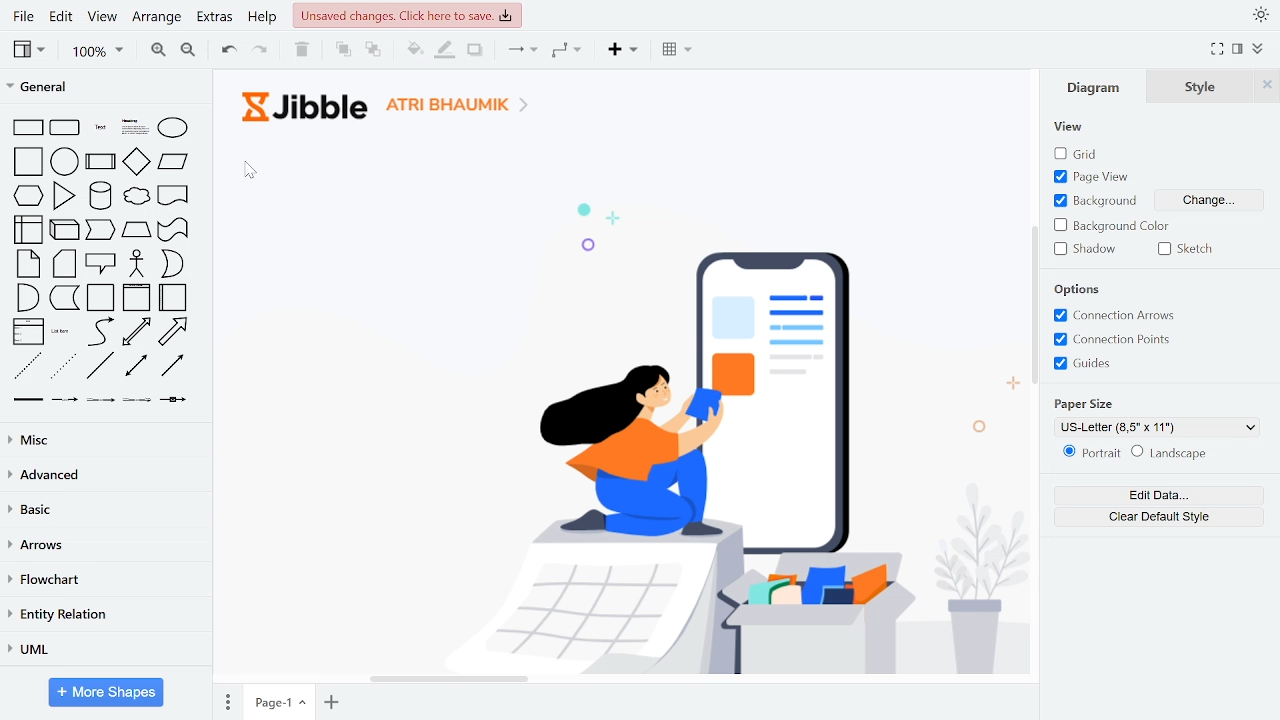 This screenshot has height=720, width=1280. Describe the element at coordinates (157, 51) in the screenshot. I see `zoom in` at that location.